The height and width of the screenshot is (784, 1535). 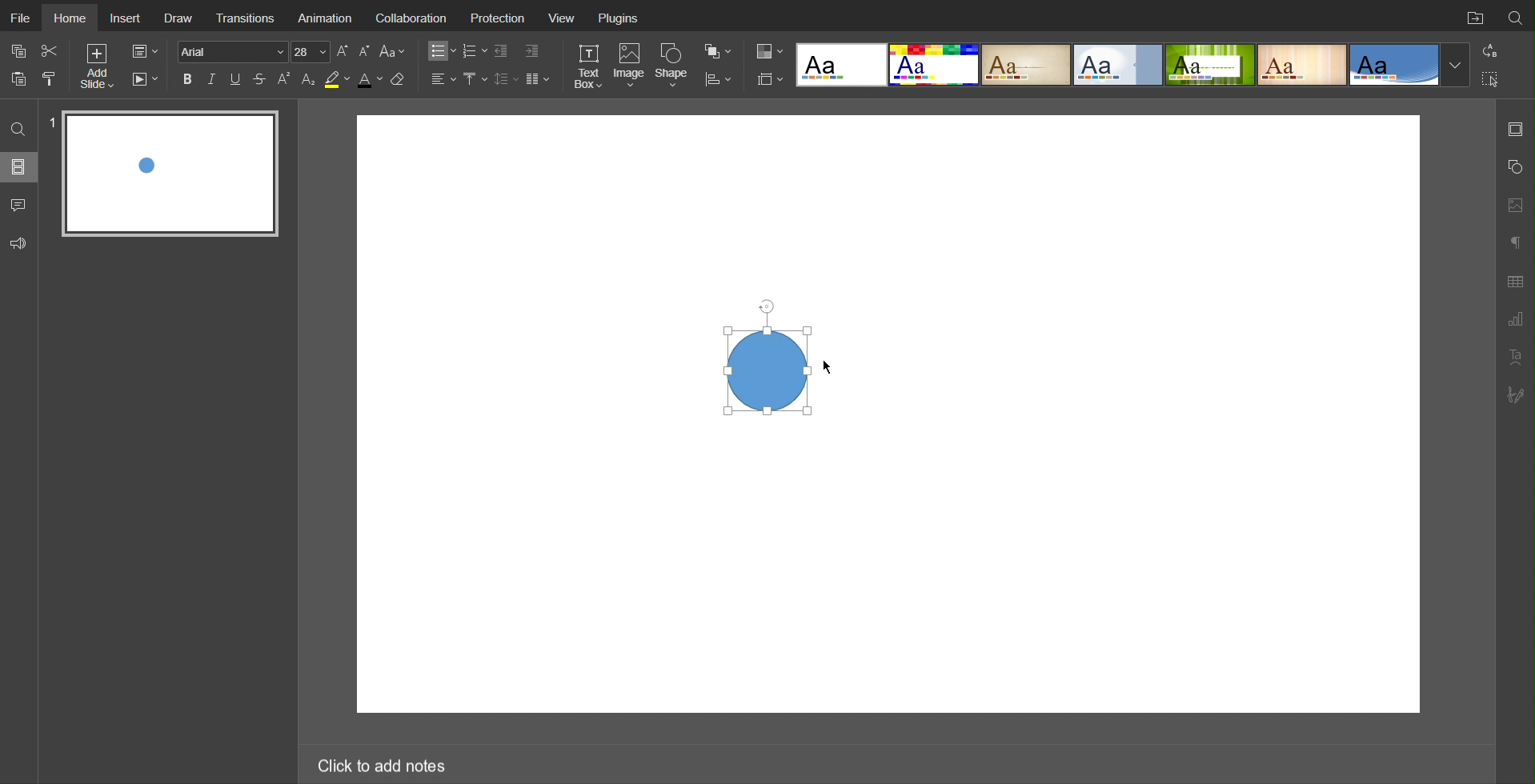 I want to click on Add Slide, so click(x=96, y=69).